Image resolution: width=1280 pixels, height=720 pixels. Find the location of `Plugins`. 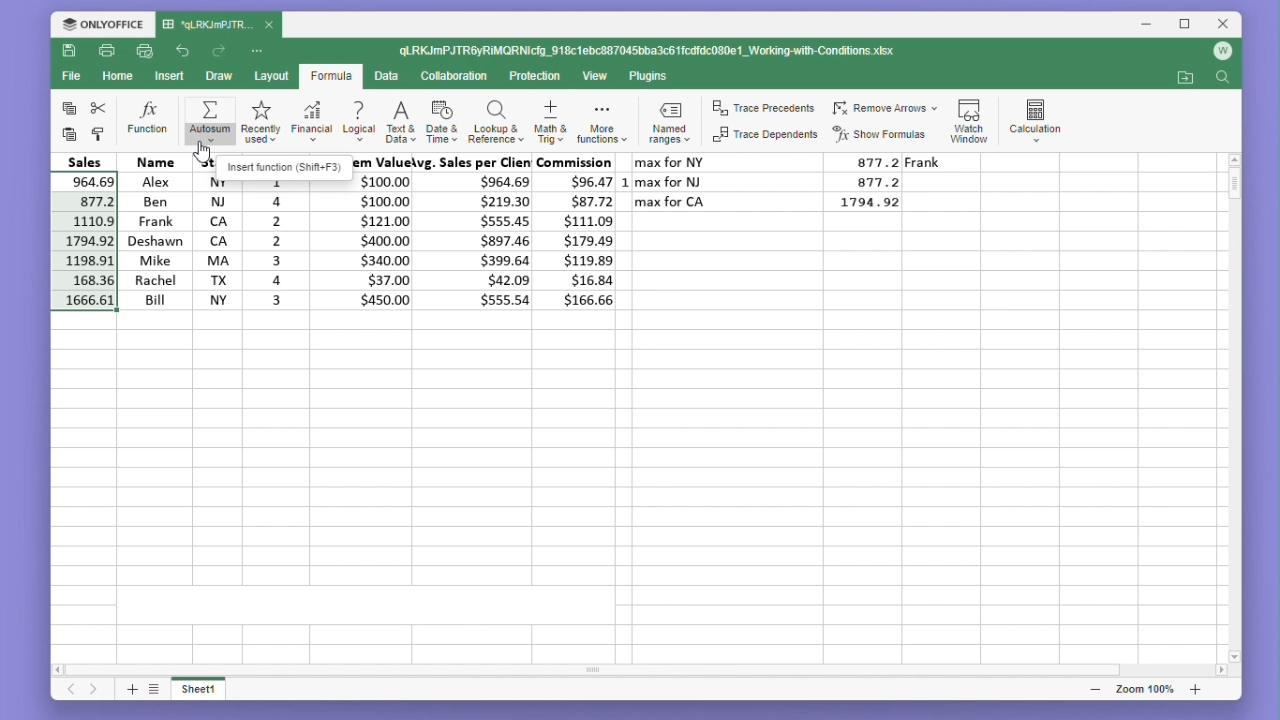

Plugins is located at coordinates (650, 77).